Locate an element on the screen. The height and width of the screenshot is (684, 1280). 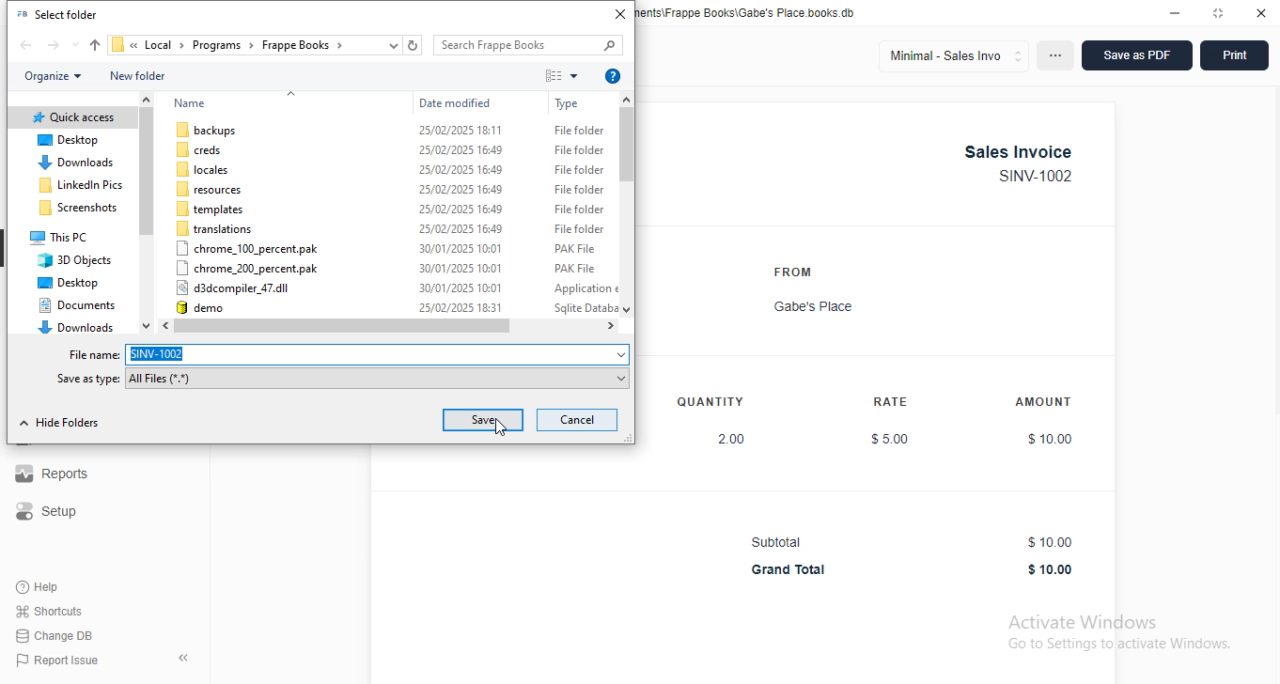
shortcuts is located at coordinates (50, 611).